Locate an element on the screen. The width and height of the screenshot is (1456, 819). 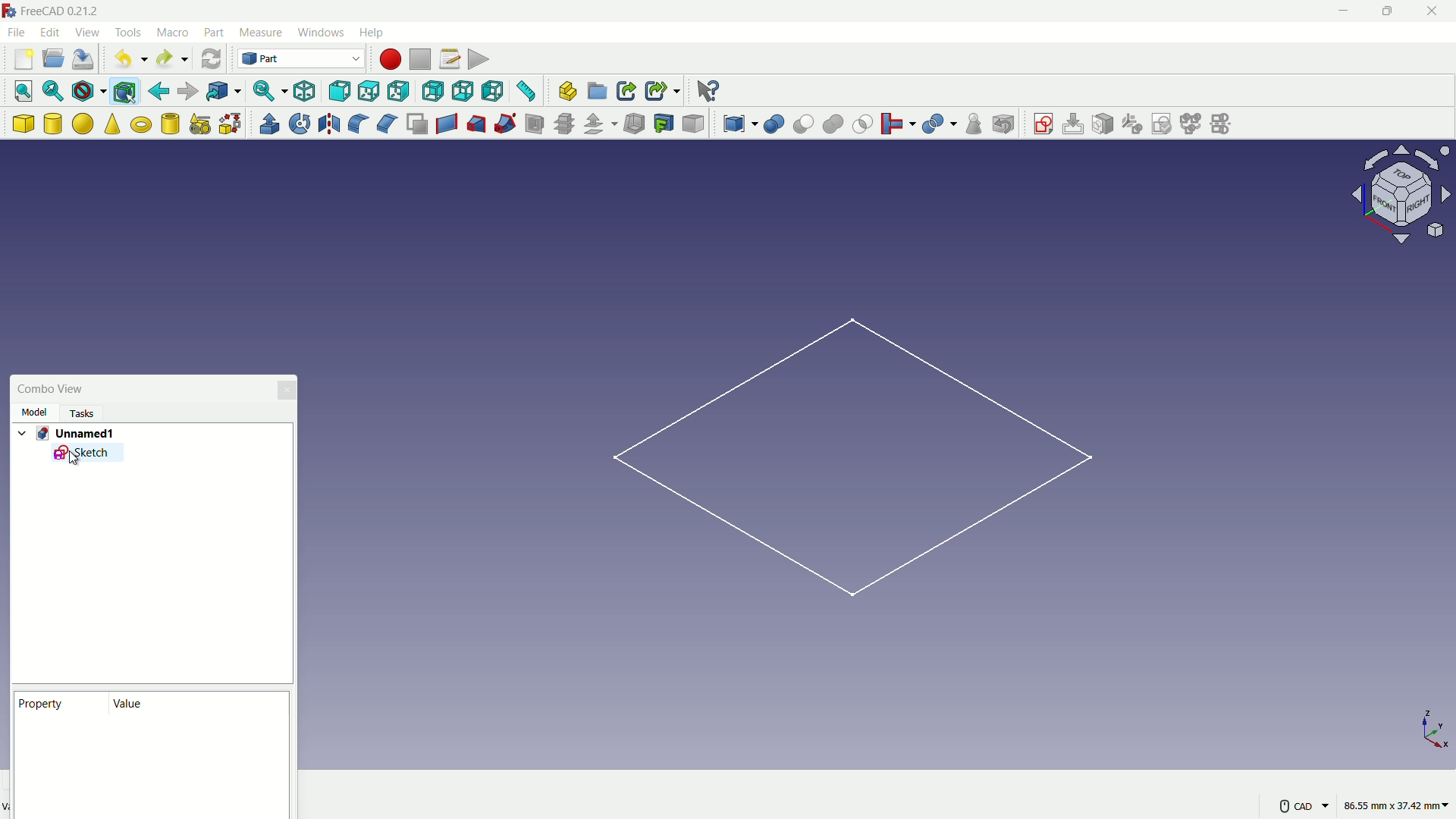
FreeCAD 0.21.2 is located at coordinates (63, 11).